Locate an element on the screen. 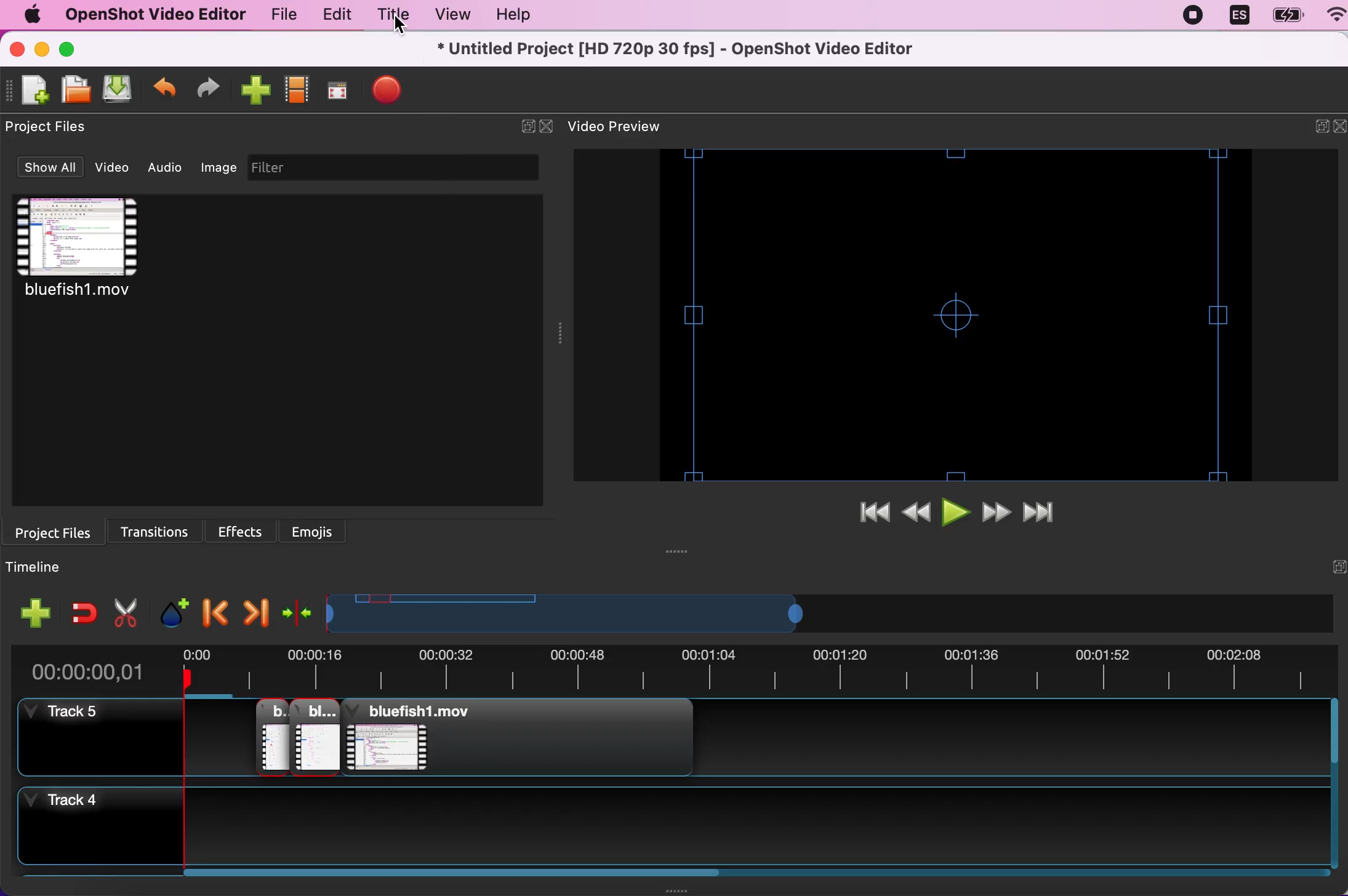  center the timeline is located at coordinates (299, 611).